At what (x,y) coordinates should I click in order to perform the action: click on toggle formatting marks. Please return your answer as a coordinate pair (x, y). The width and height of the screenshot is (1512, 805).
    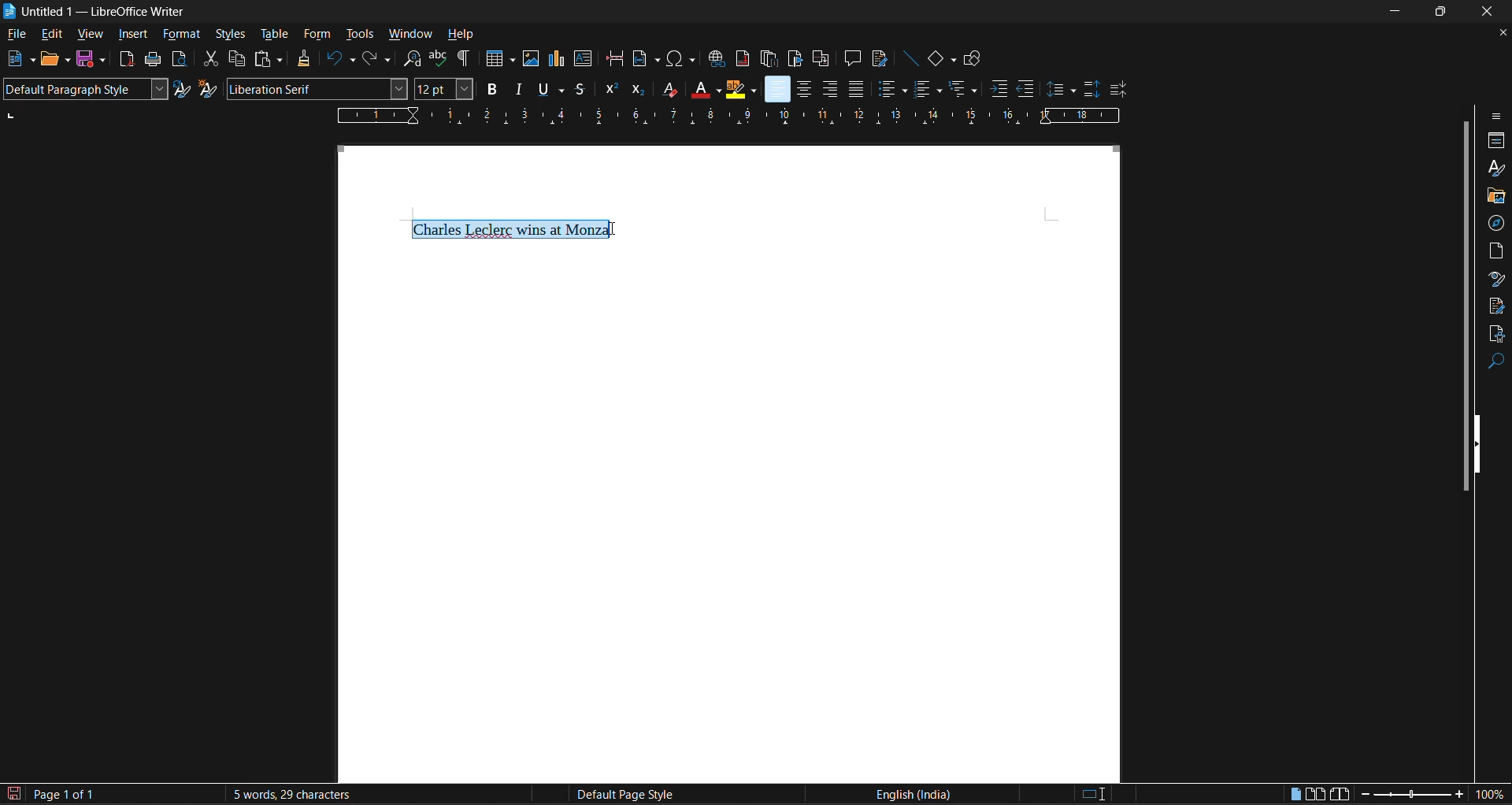
    Looking at the image, I should click on (465, 58).